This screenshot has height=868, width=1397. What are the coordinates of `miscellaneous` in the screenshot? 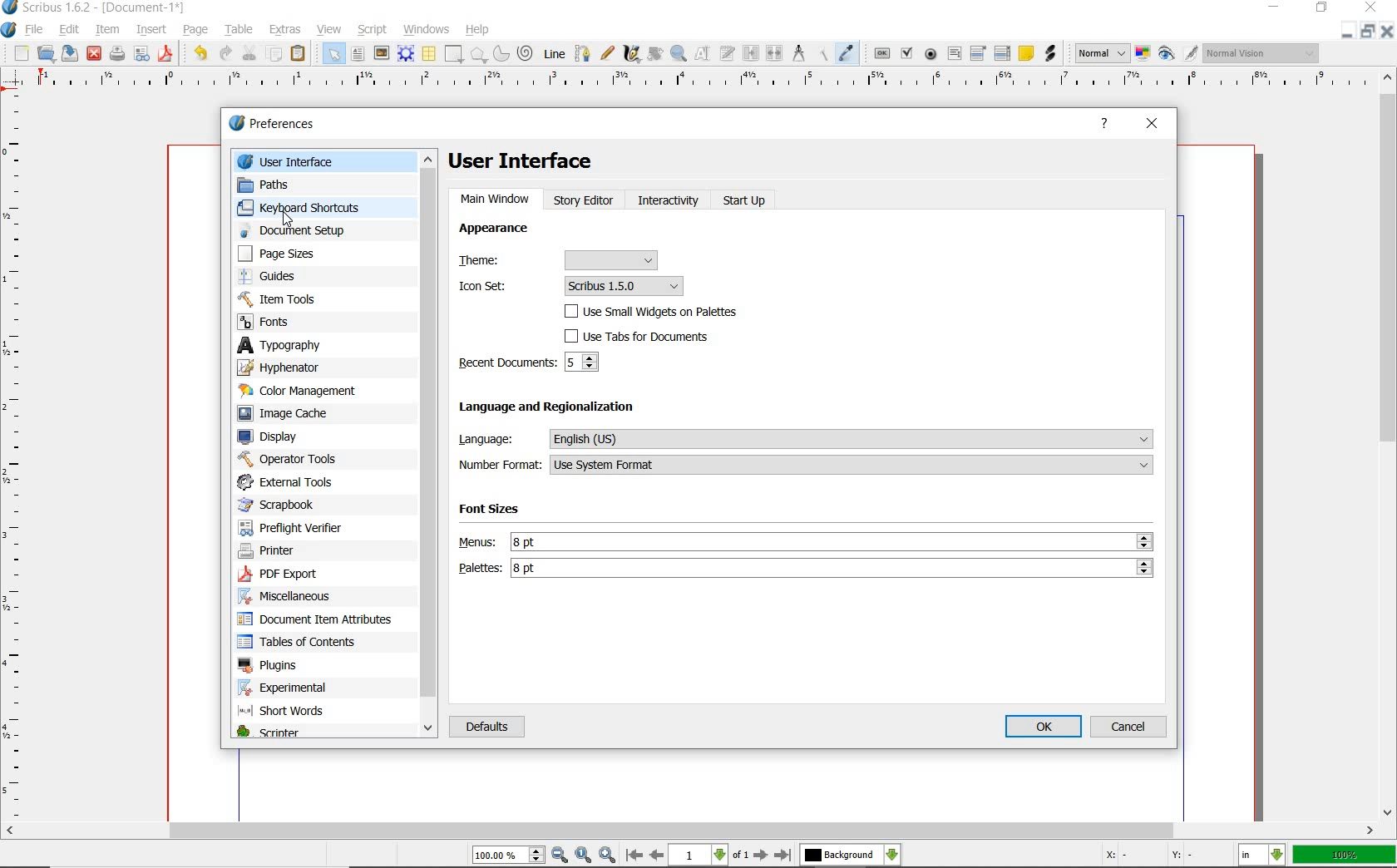 It's located at (292, 599).